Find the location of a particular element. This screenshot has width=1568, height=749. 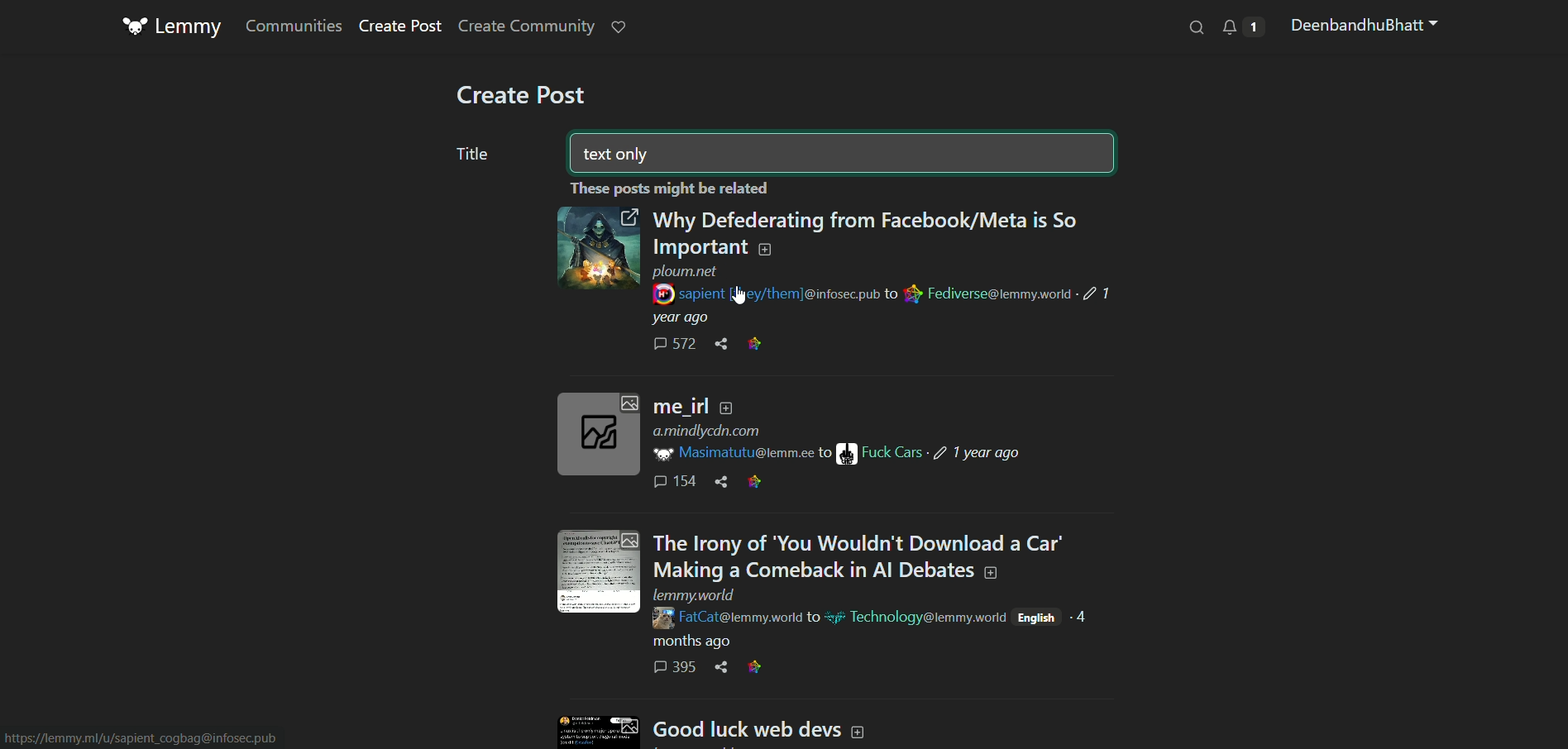

Link to sapient page is located at coordinates (763, 294).